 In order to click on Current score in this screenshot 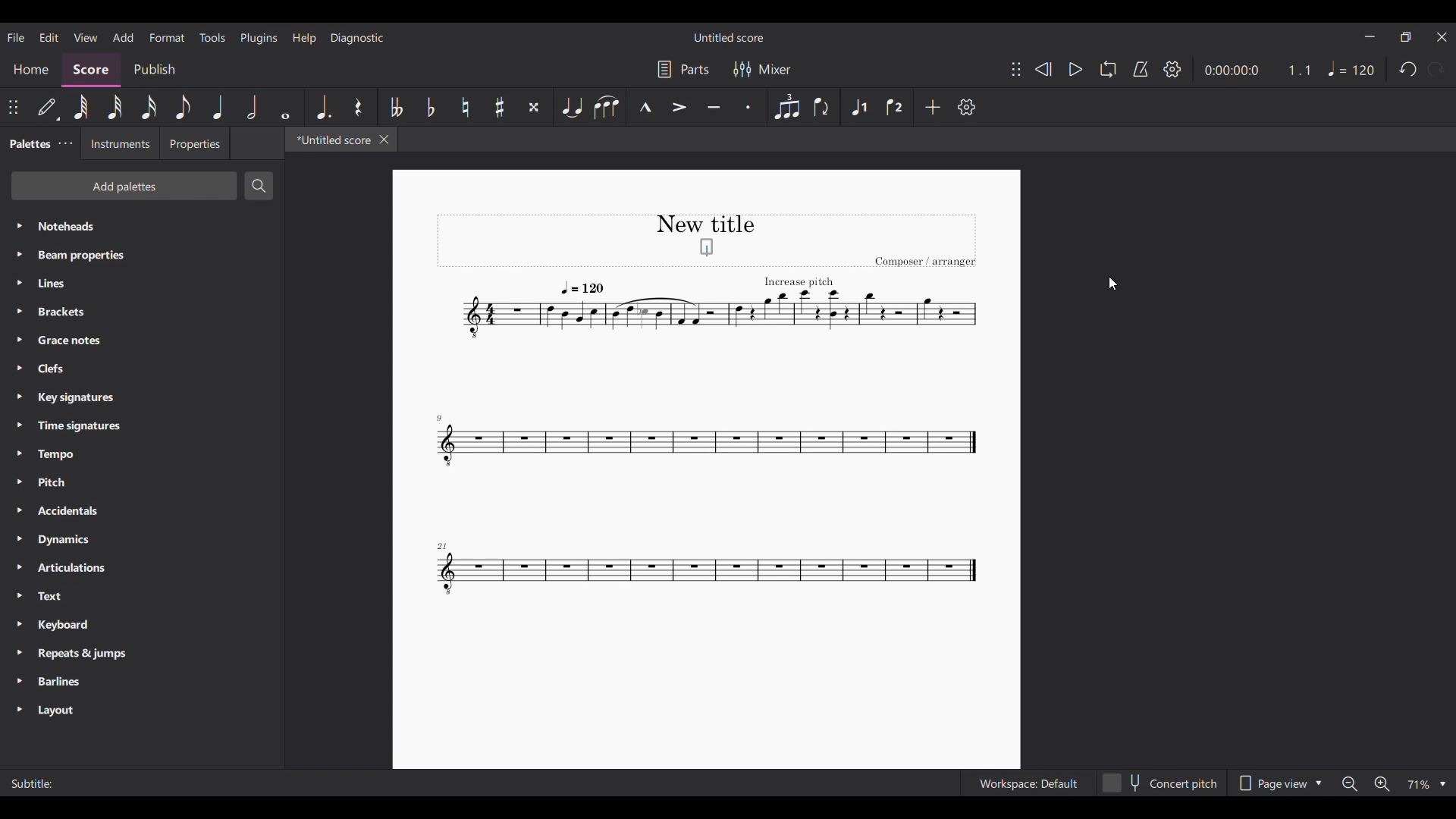, I will do `click(706, 435)`.